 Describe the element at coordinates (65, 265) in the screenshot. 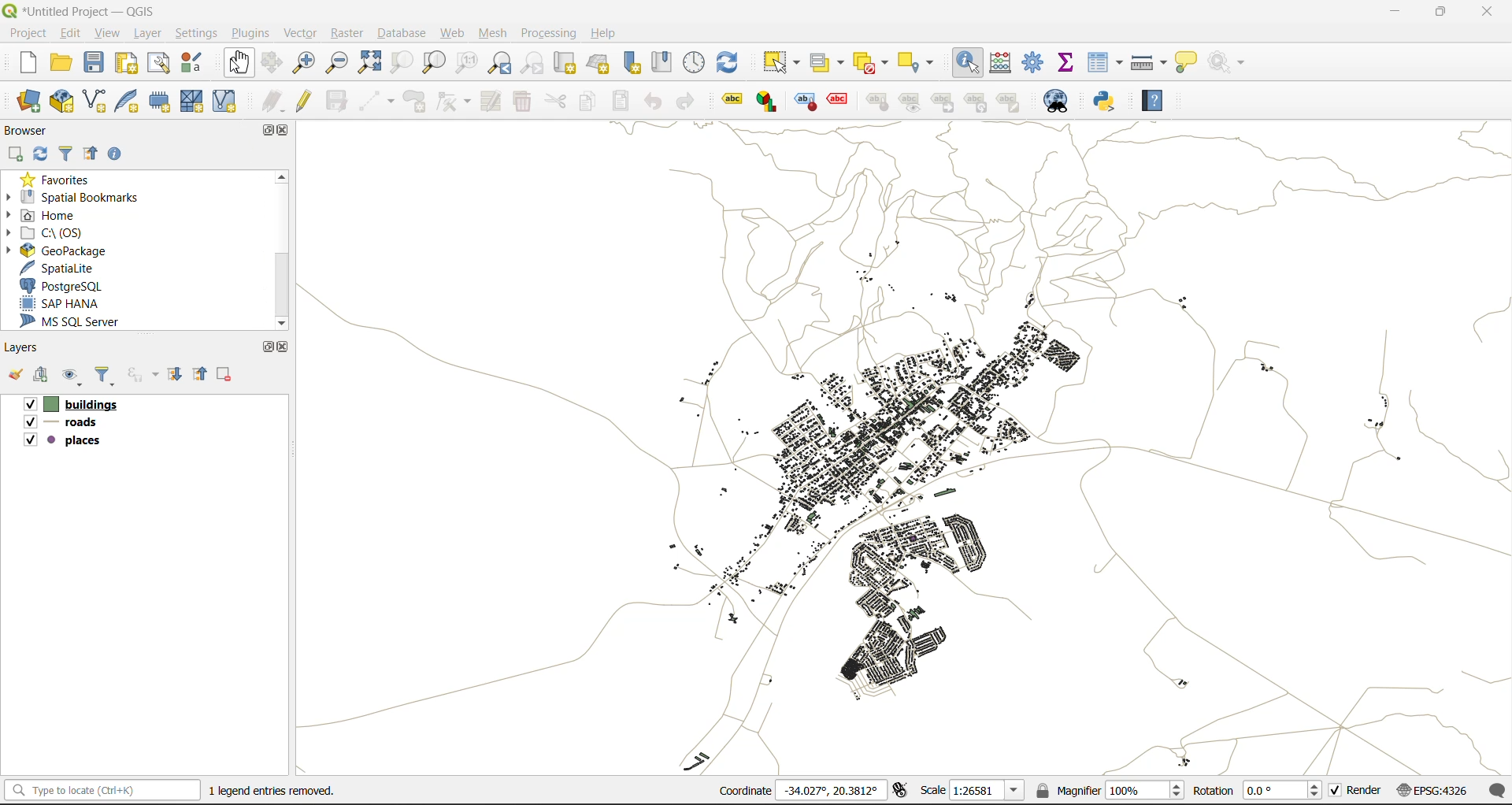

I see `spatialite` at that location.